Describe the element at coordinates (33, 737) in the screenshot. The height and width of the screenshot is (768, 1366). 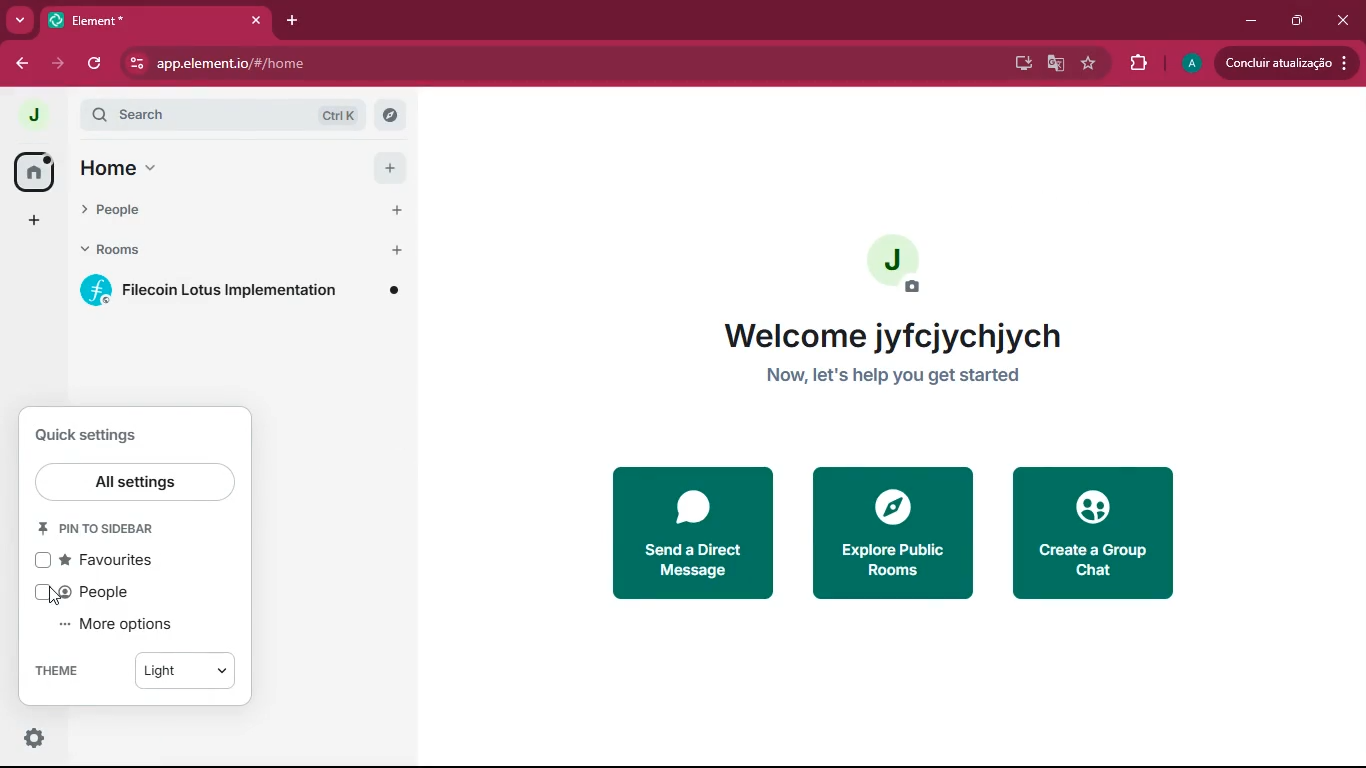
I see `settings` at that location.